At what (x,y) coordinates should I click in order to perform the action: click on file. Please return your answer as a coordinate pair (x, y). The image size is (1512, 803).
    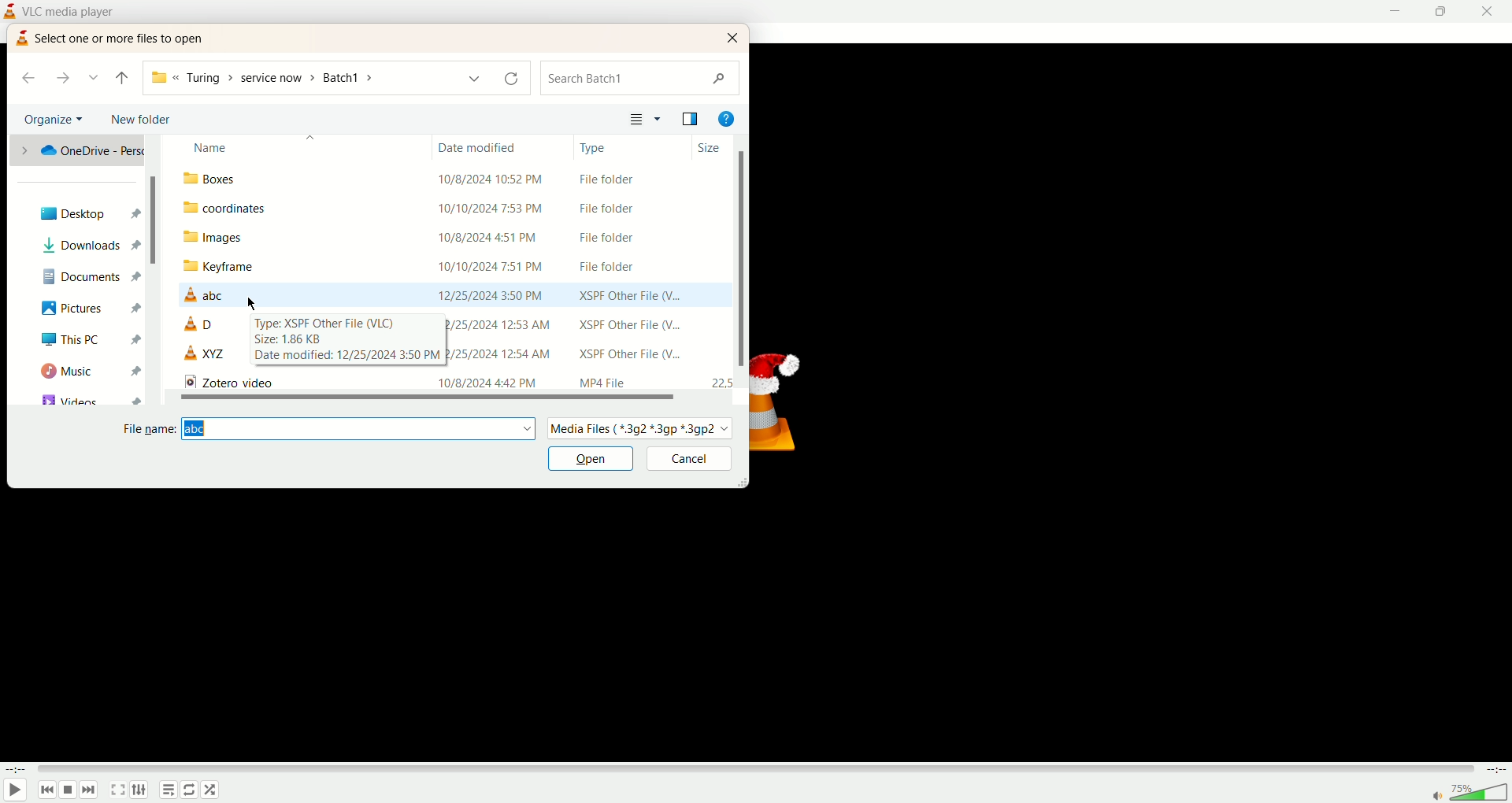
    Looking at the image, I should click on (208, 354).